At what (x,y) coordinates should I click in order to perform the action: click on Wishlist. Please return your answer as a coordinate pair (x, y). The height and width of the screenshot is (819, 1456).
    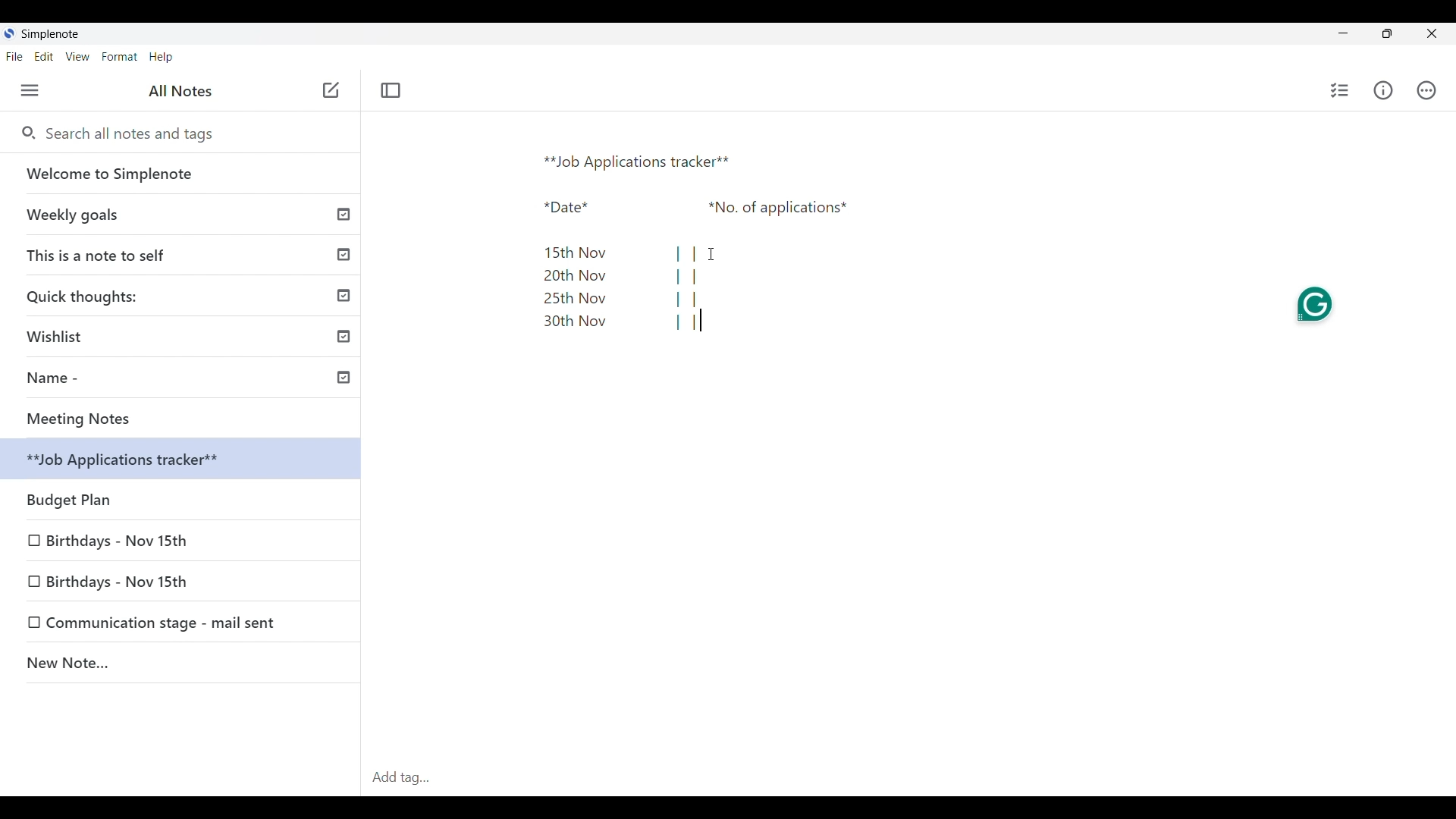
    Looking at the image, I should click on (186, 334).